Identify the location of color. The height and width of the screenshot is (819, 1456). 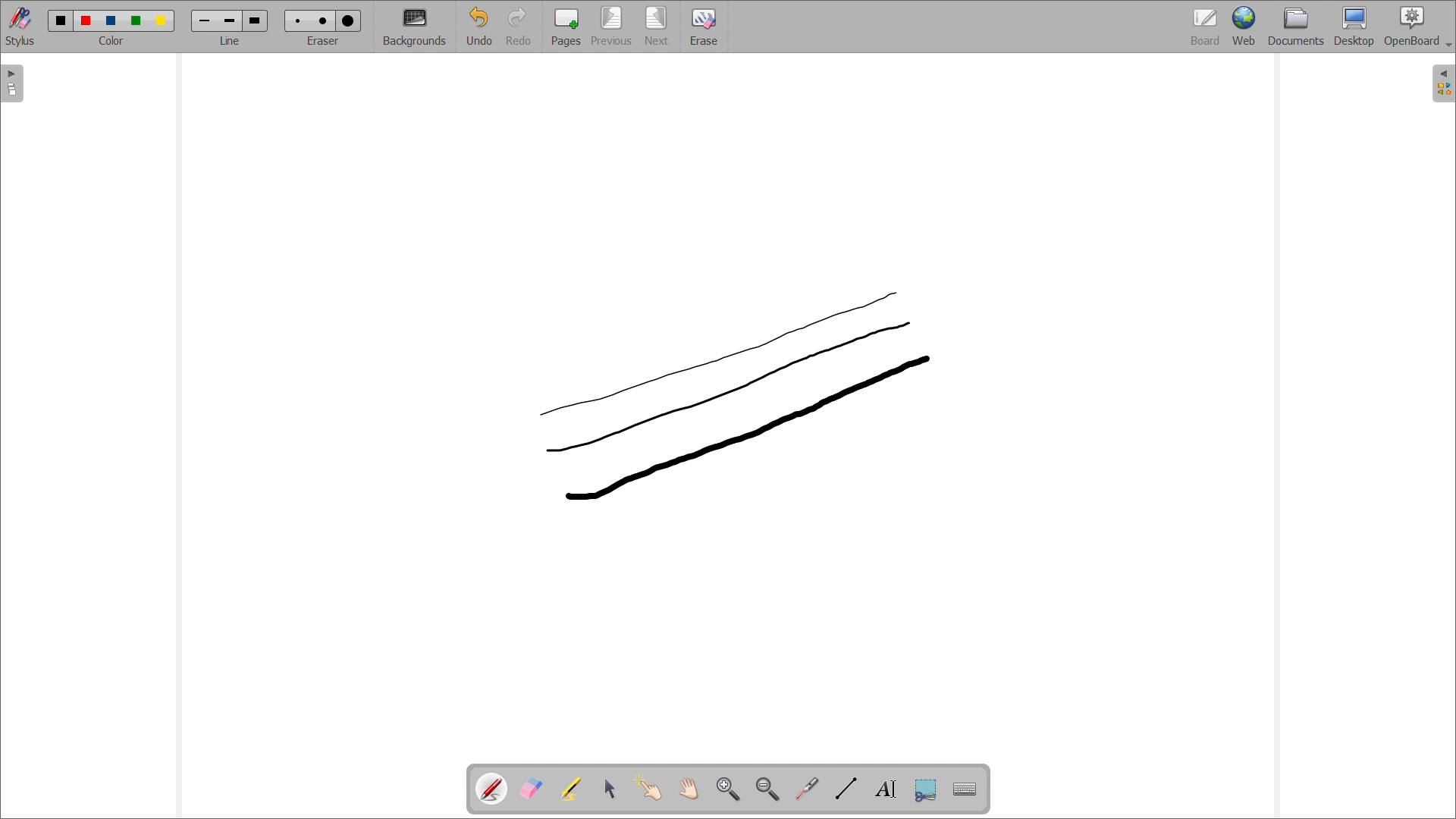
(161, 21).